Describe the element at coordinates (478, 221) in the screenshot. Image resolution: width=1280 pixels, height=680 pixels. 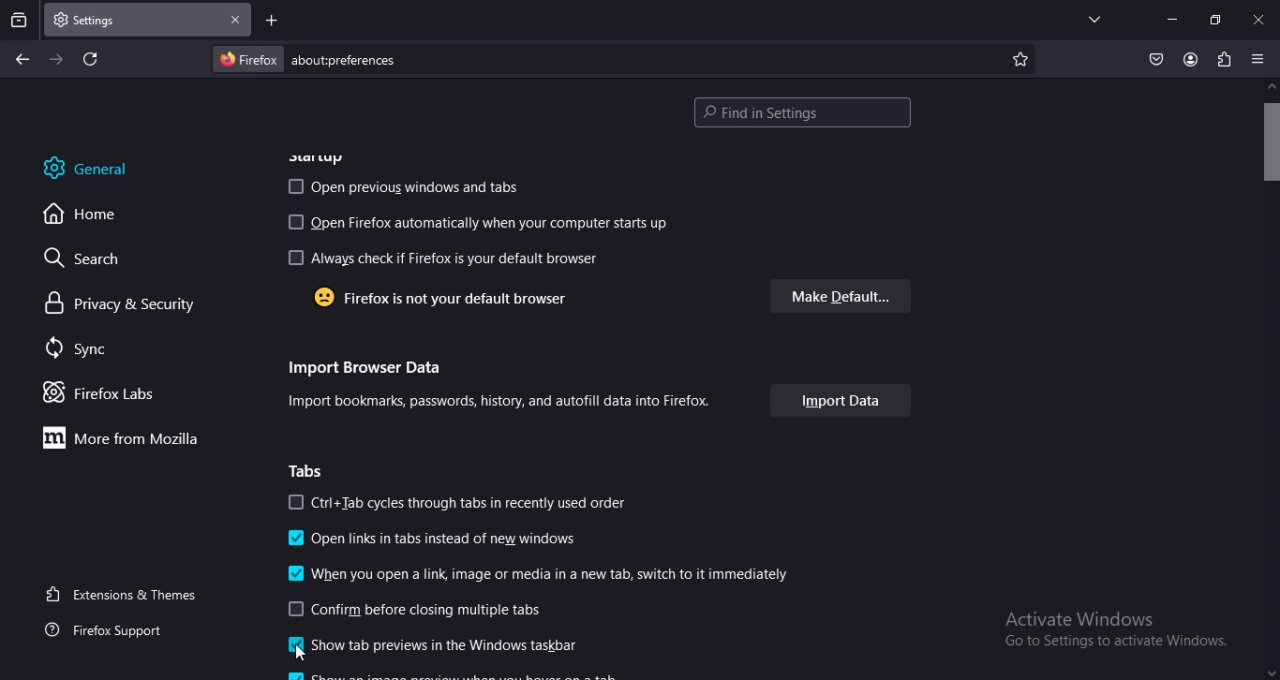
I see `open firefox automtically when computer startup` at that location.